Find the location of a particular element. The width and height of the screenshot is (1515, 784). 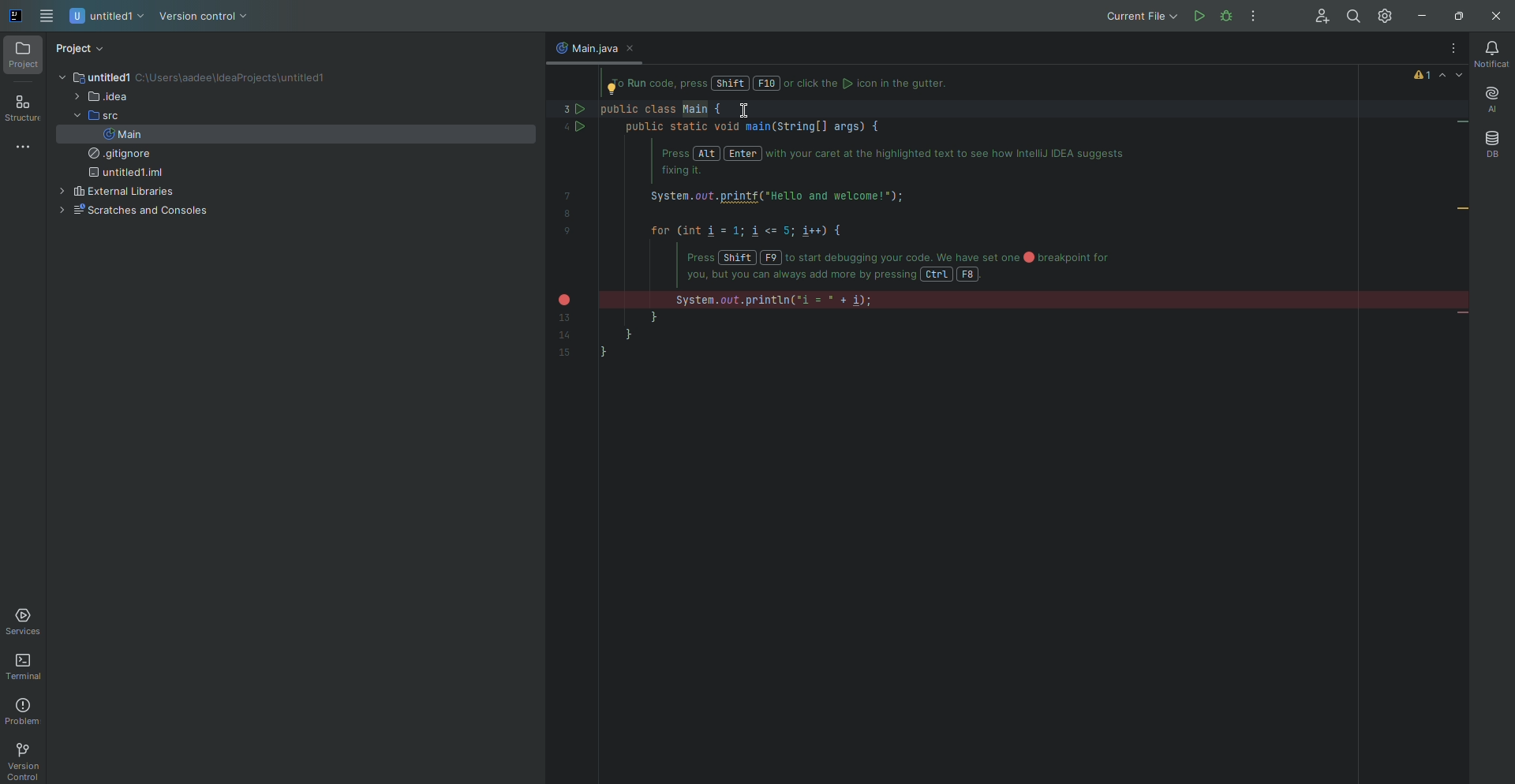

Restore is located at coordinates (1456, 16).